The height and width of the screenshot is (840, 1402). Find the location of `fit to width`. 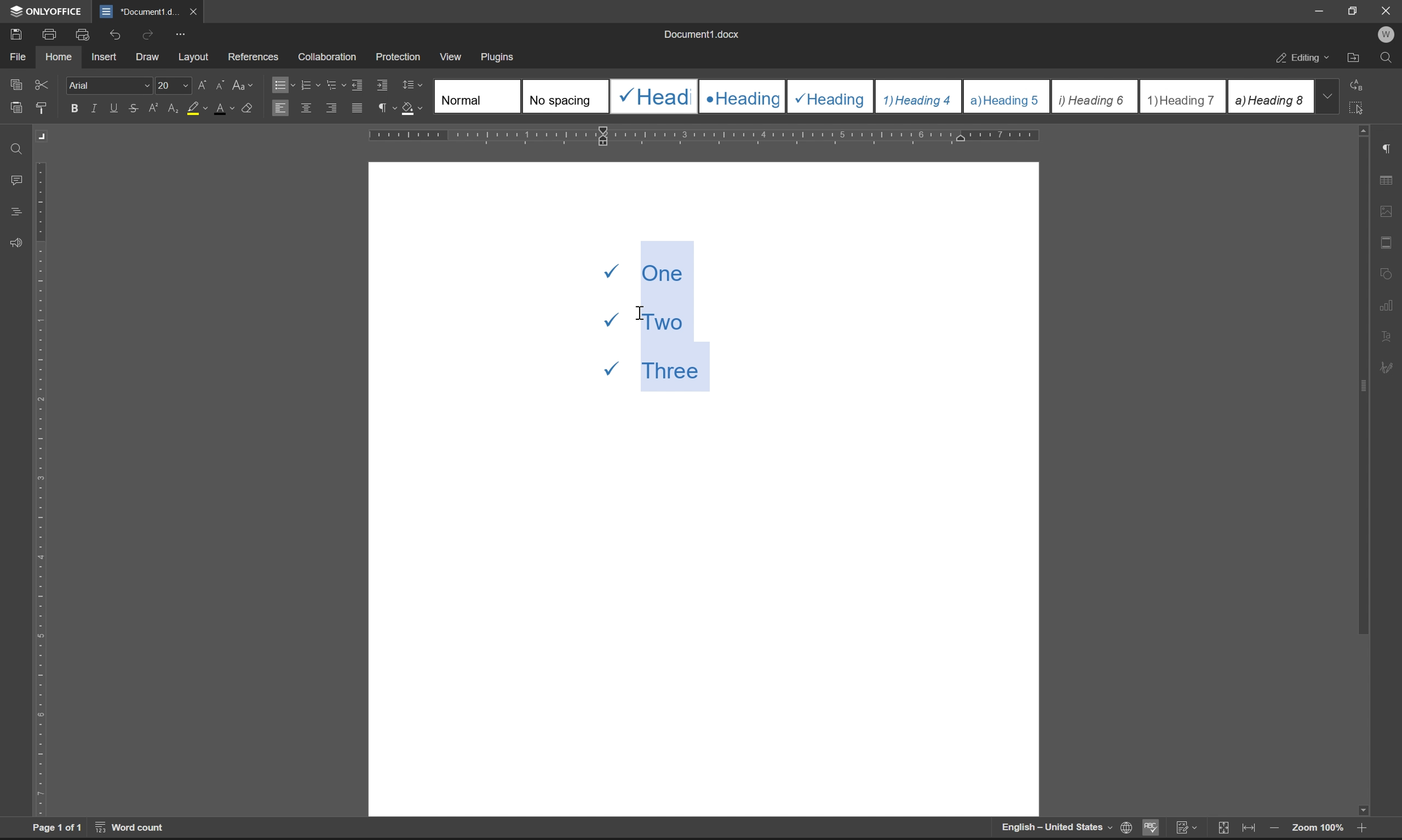

fit to width is located at coordinates (1249, 828).